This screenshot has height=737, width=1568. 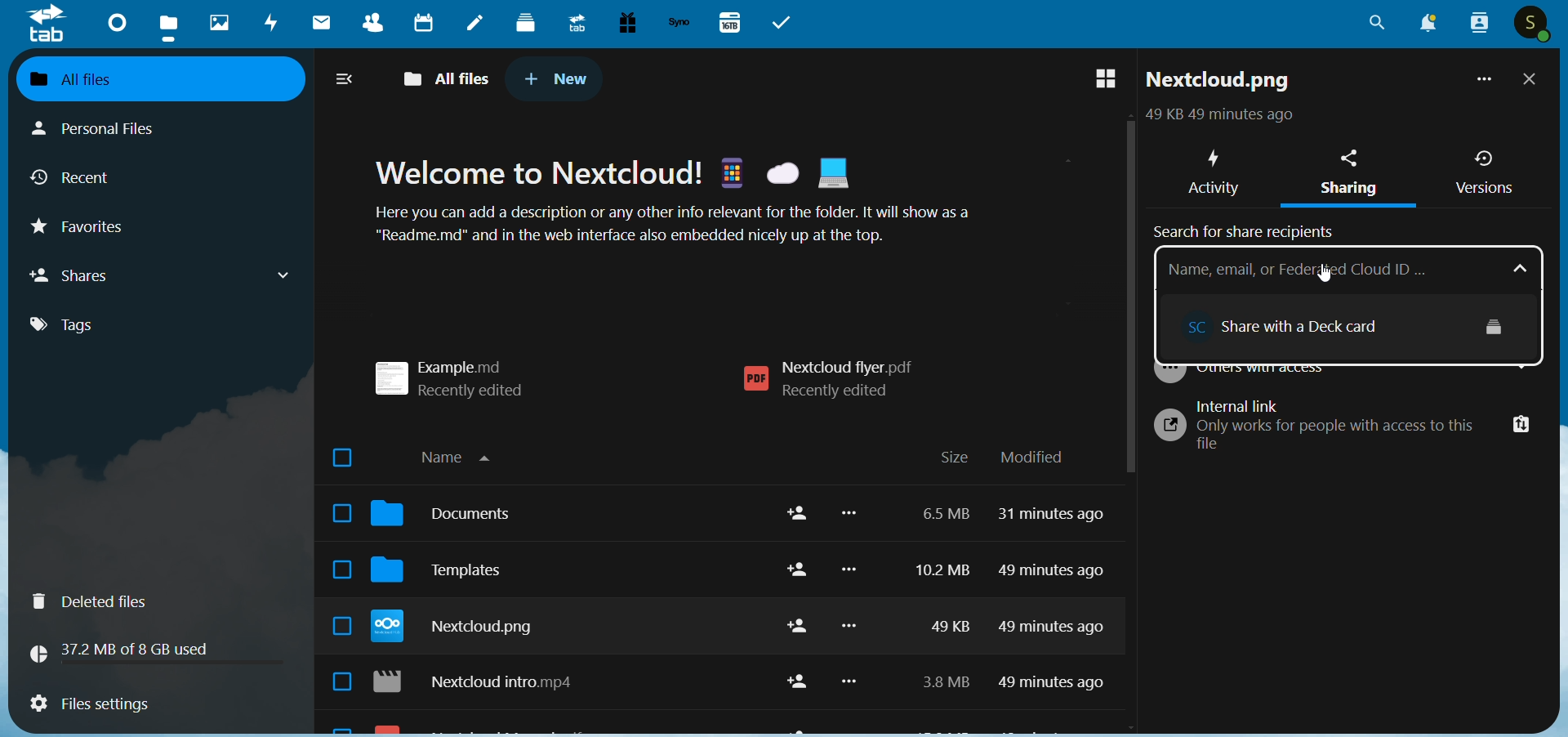 What do you see at coordinates (626, 23) in the screenshot?
I see `free trial` at bounding box center [626, 23].